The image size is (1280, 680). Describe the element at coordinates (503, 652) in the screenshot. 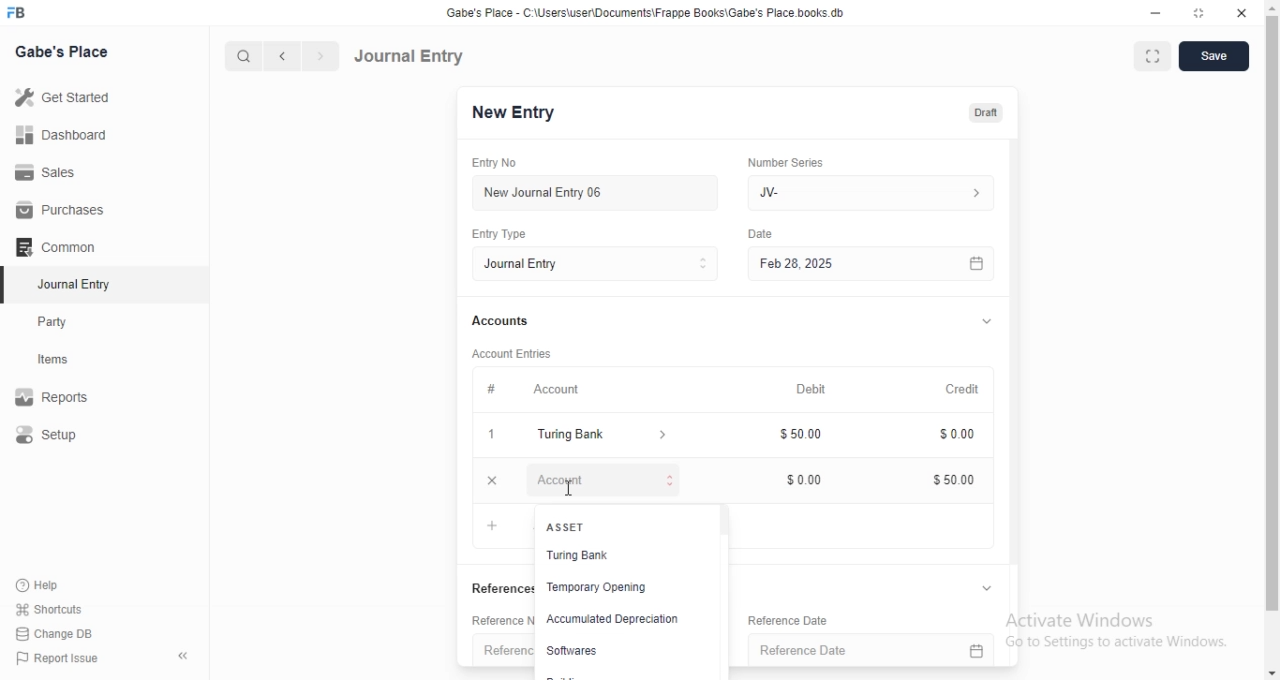

I see `Reference Number` at that location.